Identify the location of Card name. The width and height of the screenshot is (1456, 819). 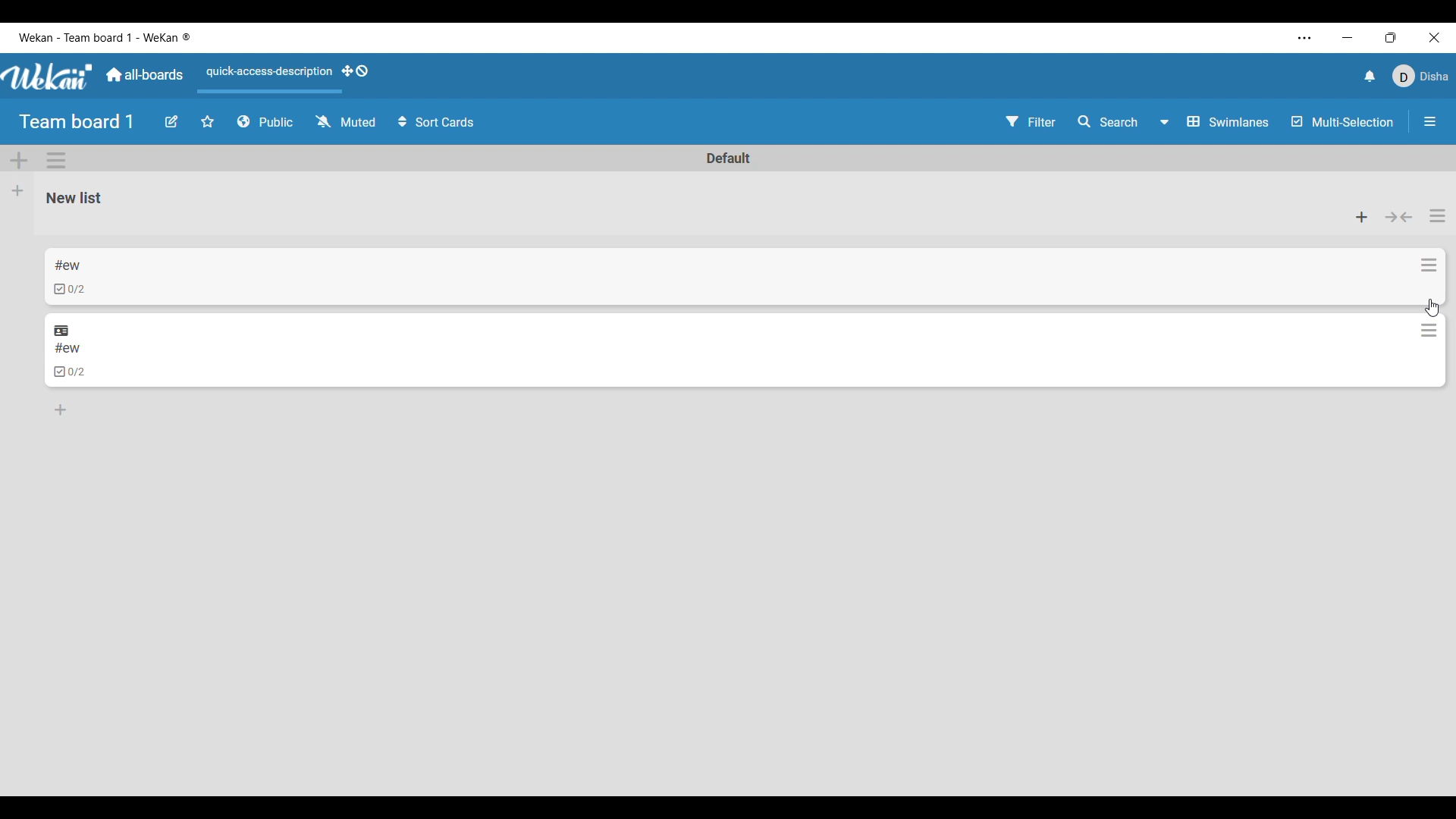
(67, 347).